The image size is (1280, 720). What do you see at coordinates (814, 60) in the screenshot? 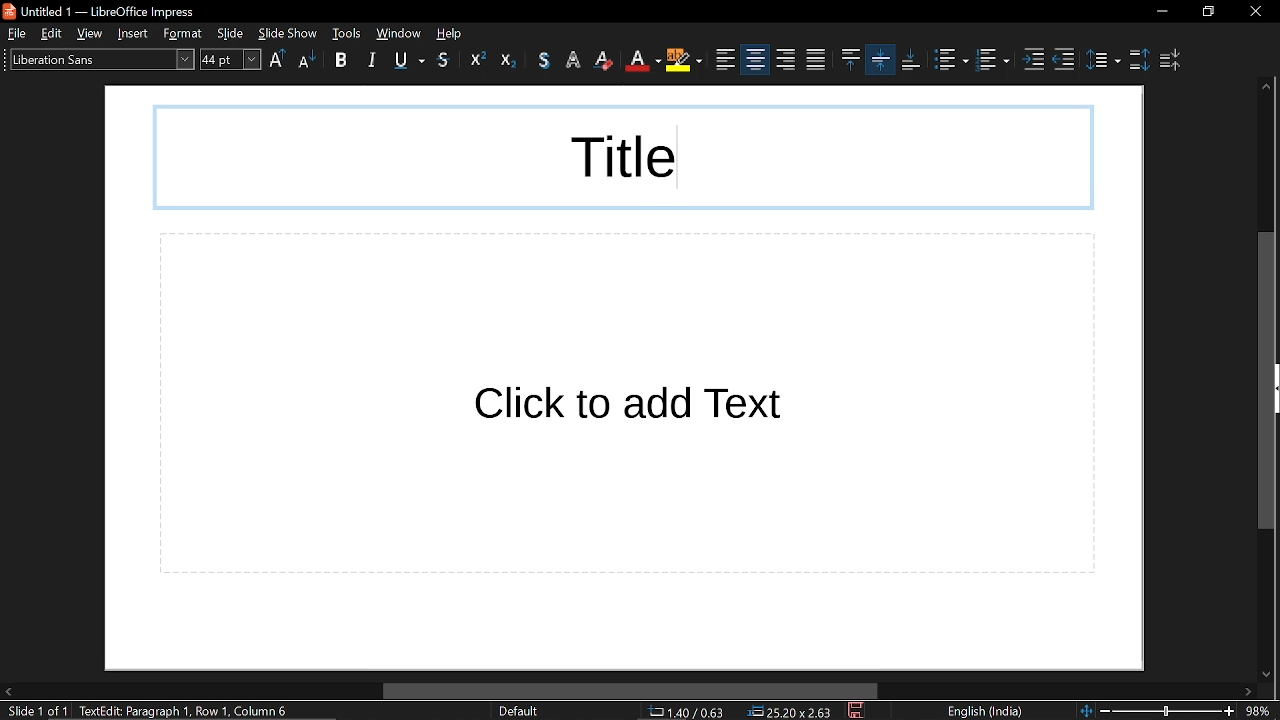
I see `align top` at bounding box center [814, 60].